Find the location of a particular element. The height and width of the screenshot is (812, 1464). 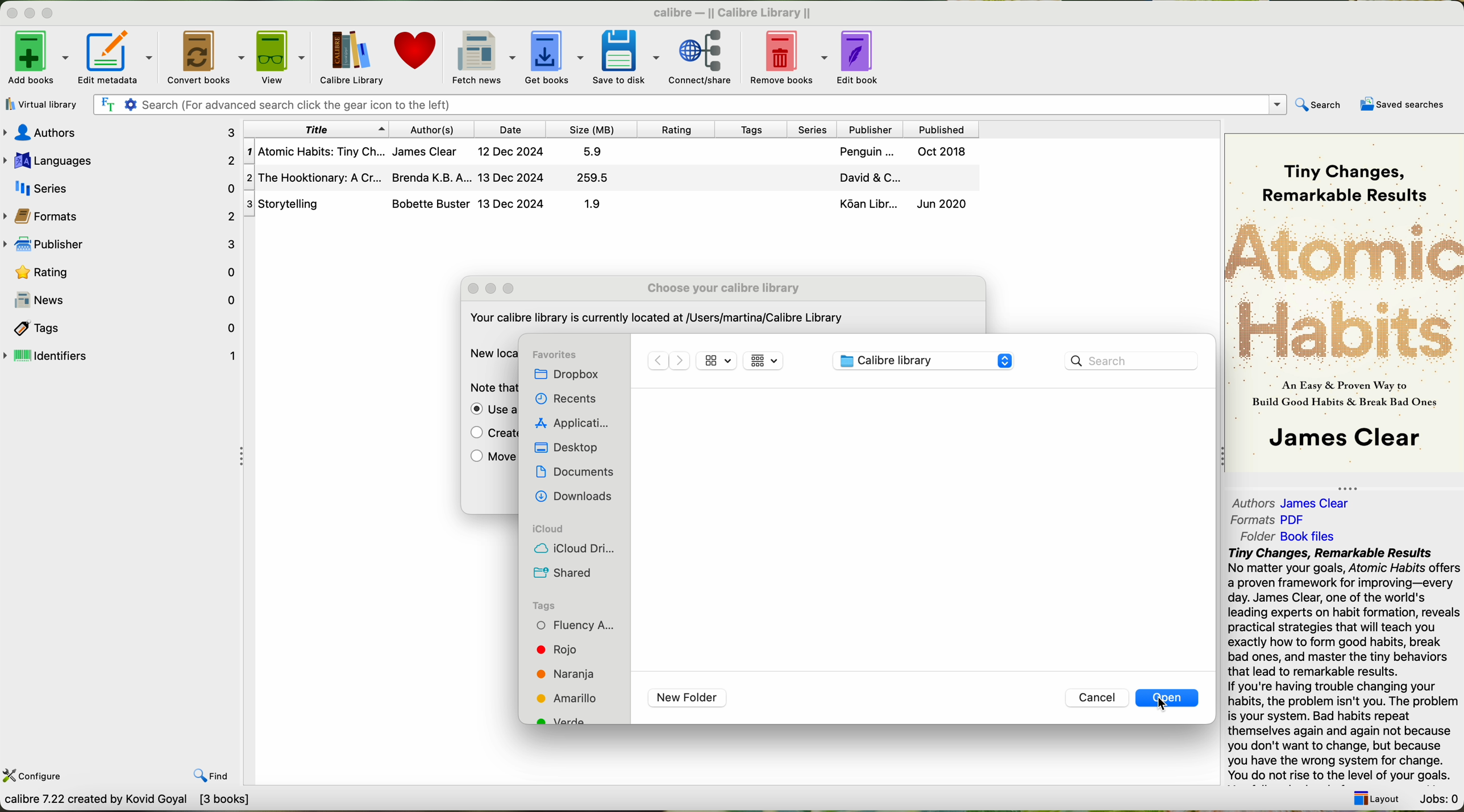

Publisher is located at coordinates (872, 128).